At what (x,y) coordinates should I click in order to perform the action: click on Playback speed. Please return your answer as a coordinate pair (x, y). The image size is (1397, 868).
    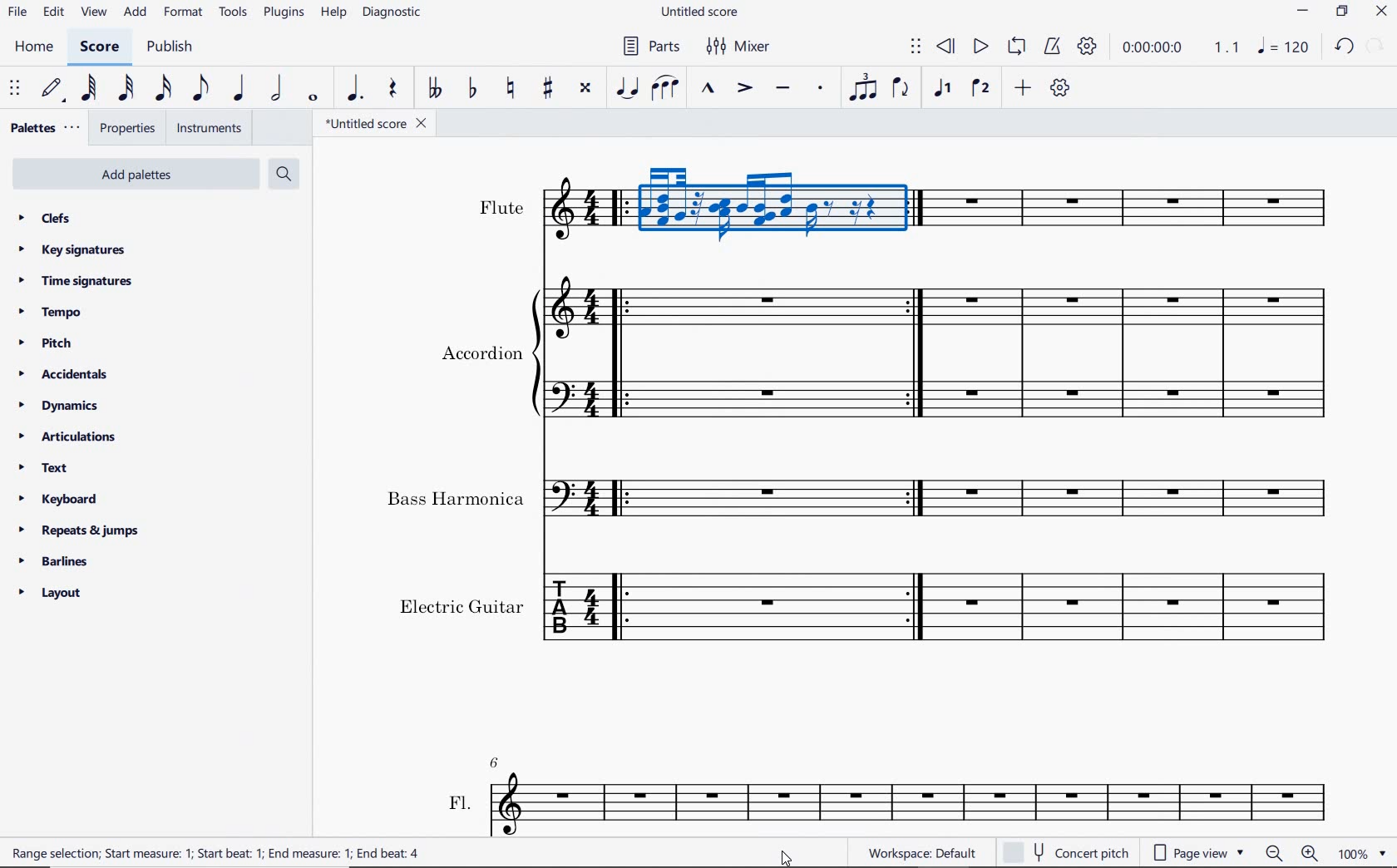
    Looking at the image, I should click on (1228, 47).